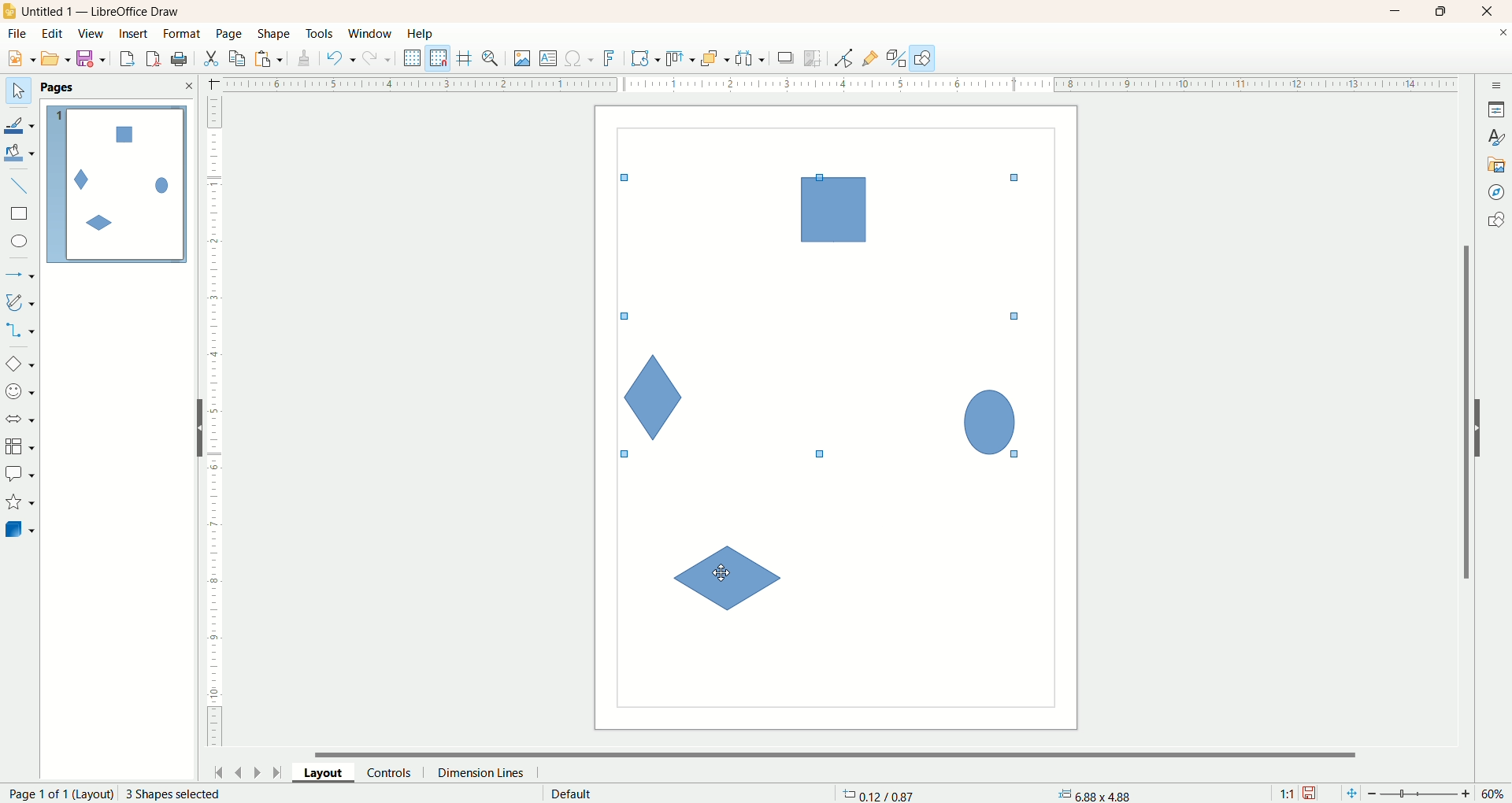  Describe the element at coordinates (1503, 35) in the screenshot. I see `close` at that location.